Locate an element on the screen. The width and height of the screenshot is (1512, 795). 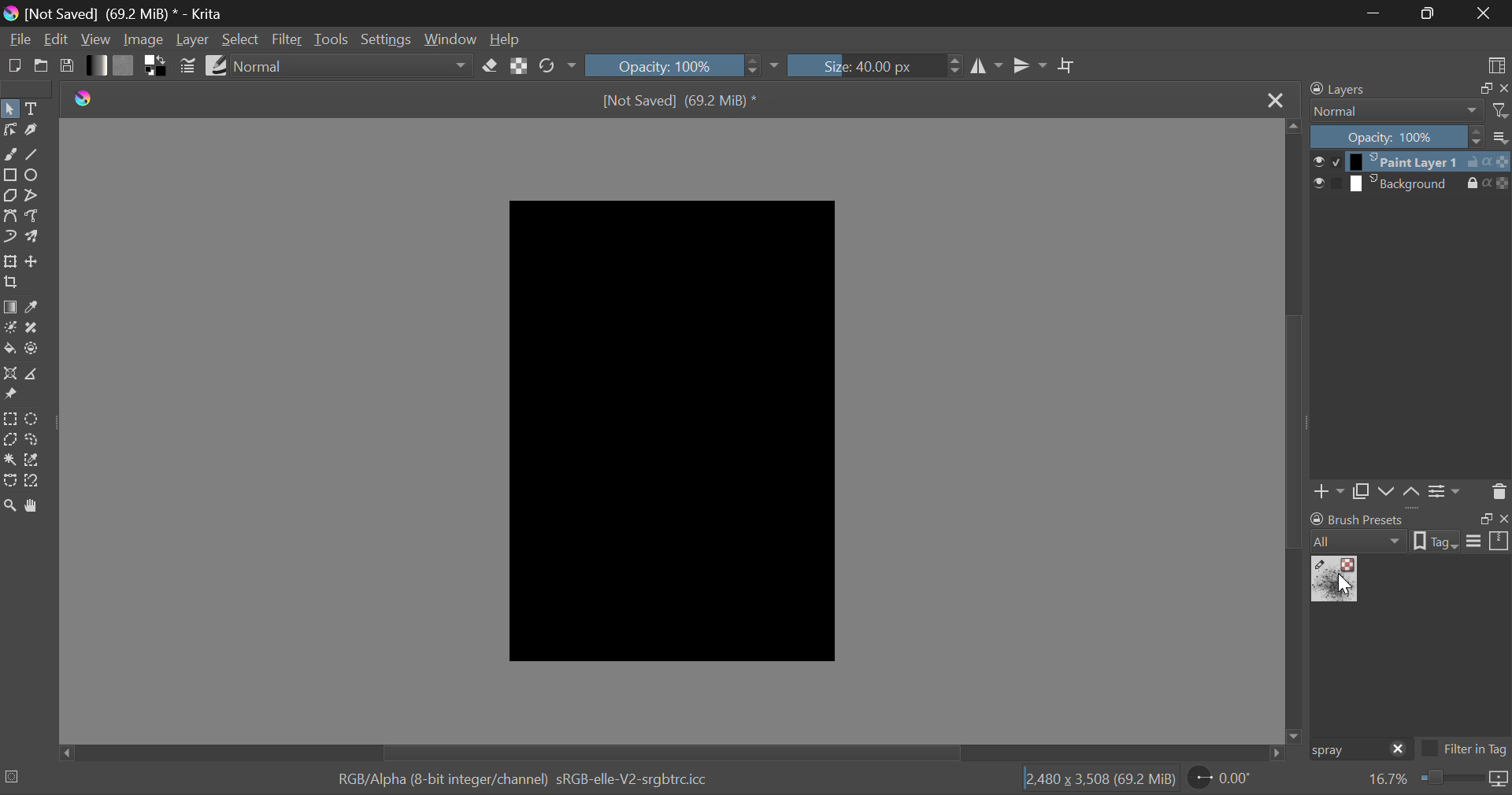
Layers is located at coordinates (1347, 88).